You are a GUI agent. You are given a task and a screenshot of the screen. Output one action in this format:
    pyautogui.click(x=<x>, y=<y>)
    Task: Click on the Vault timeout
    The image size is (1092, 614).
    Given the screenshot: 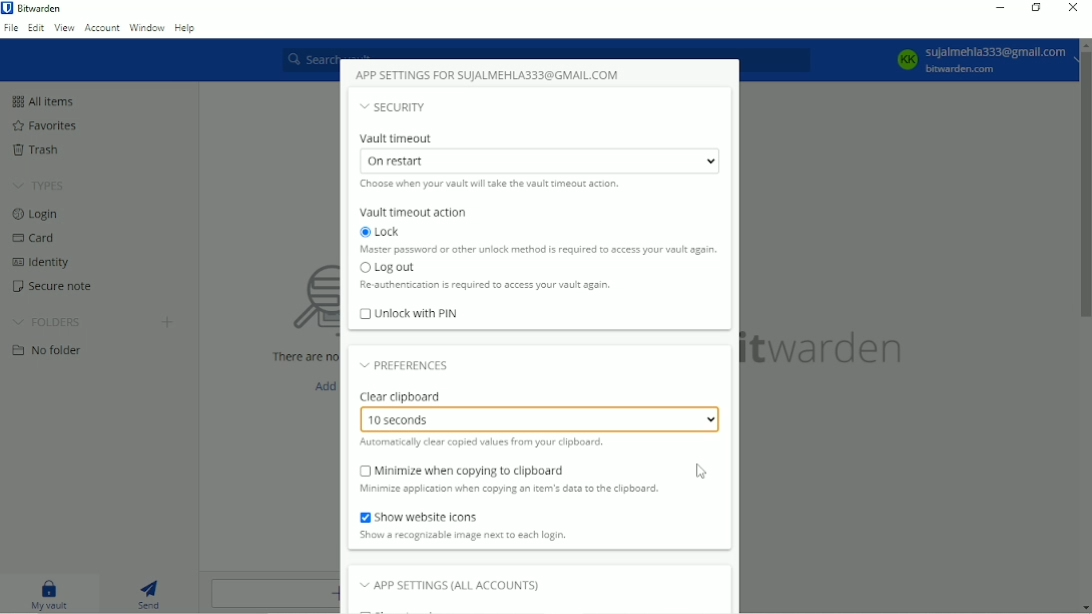 What is the action you would take?
    pyautogui.click(x=538, y=152)
    